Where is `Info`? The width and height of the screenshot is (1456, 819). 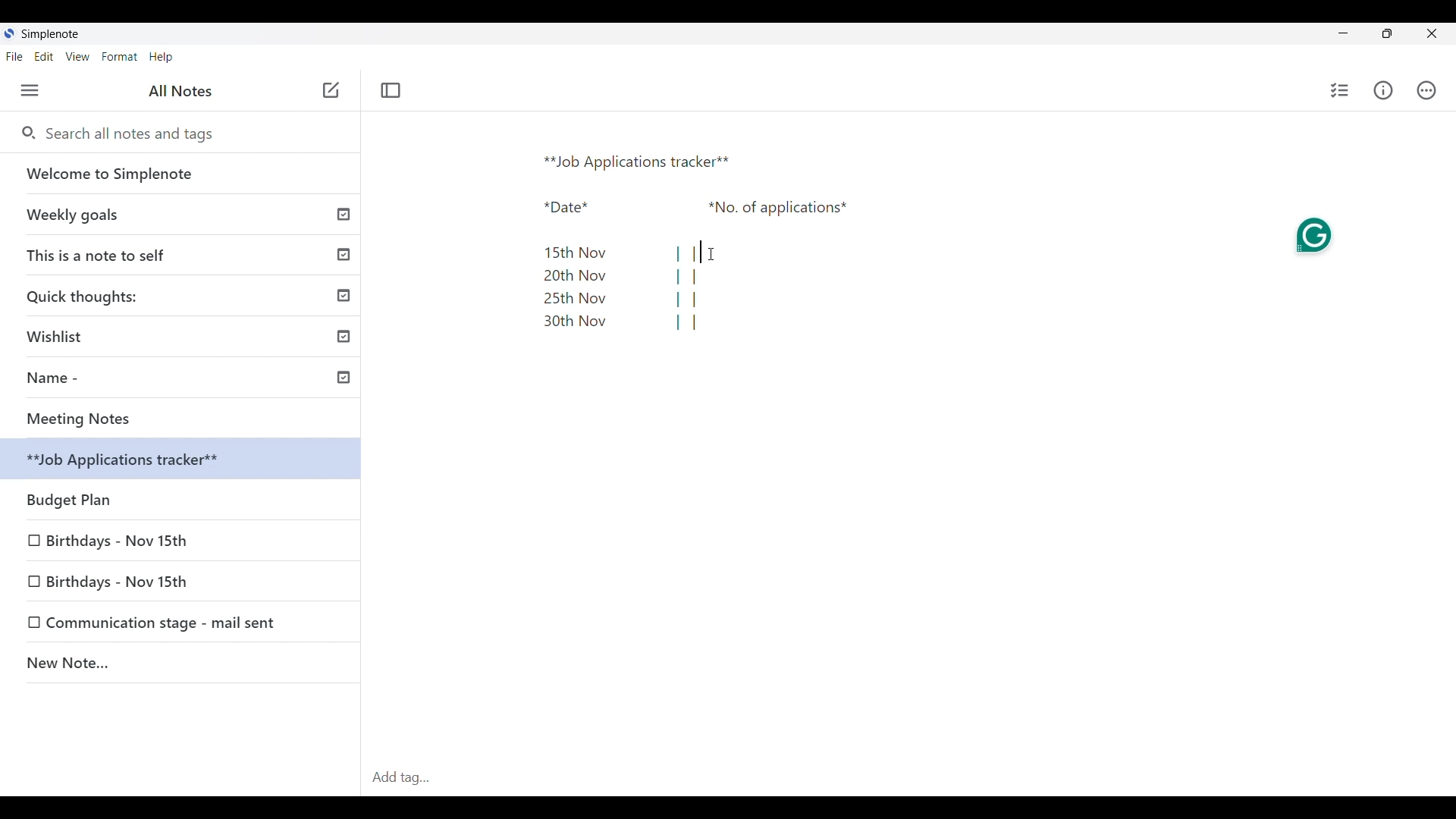
Info is located at coordinates (1384, 90).